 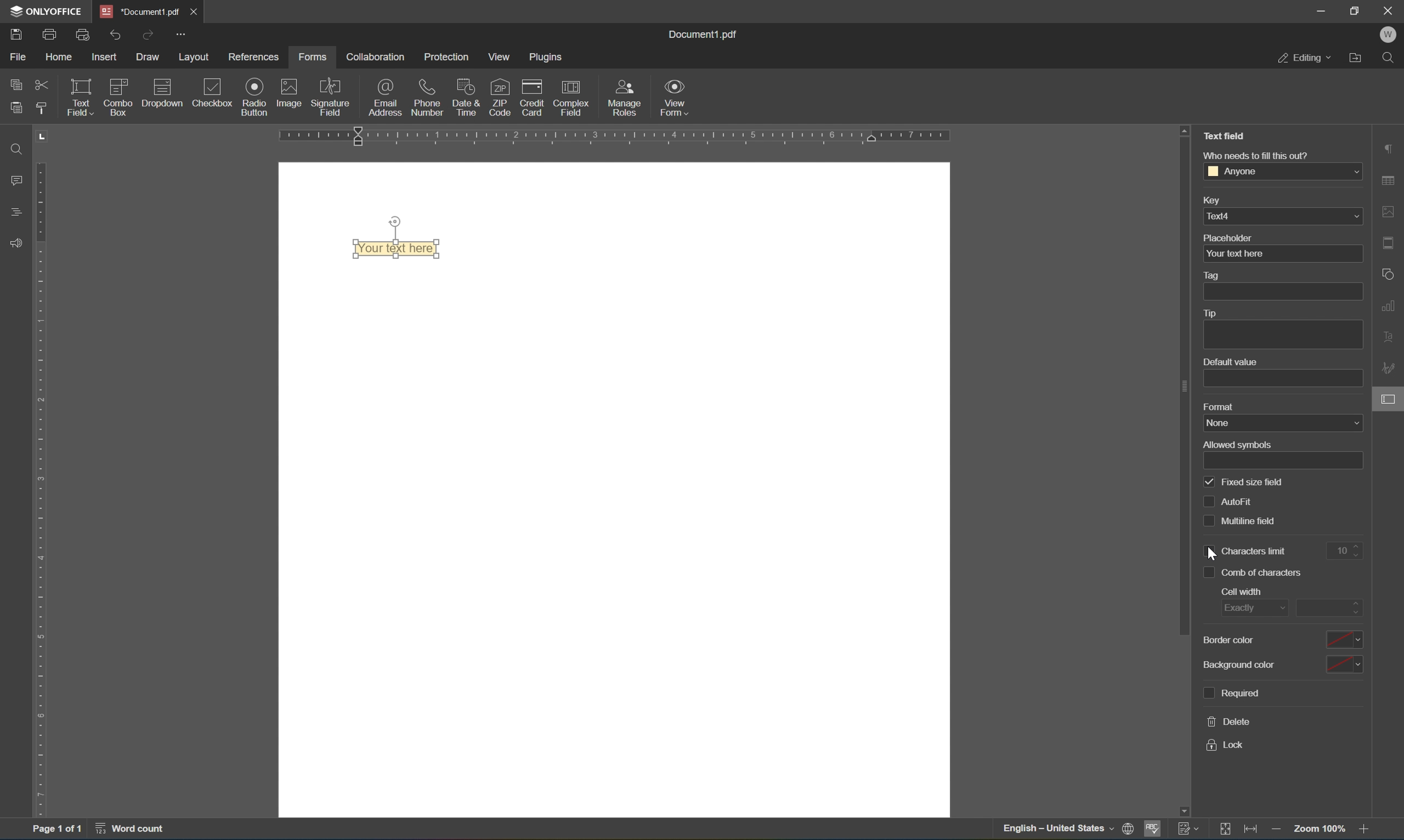 I want to click on plugins, so click(x=544, y=57).